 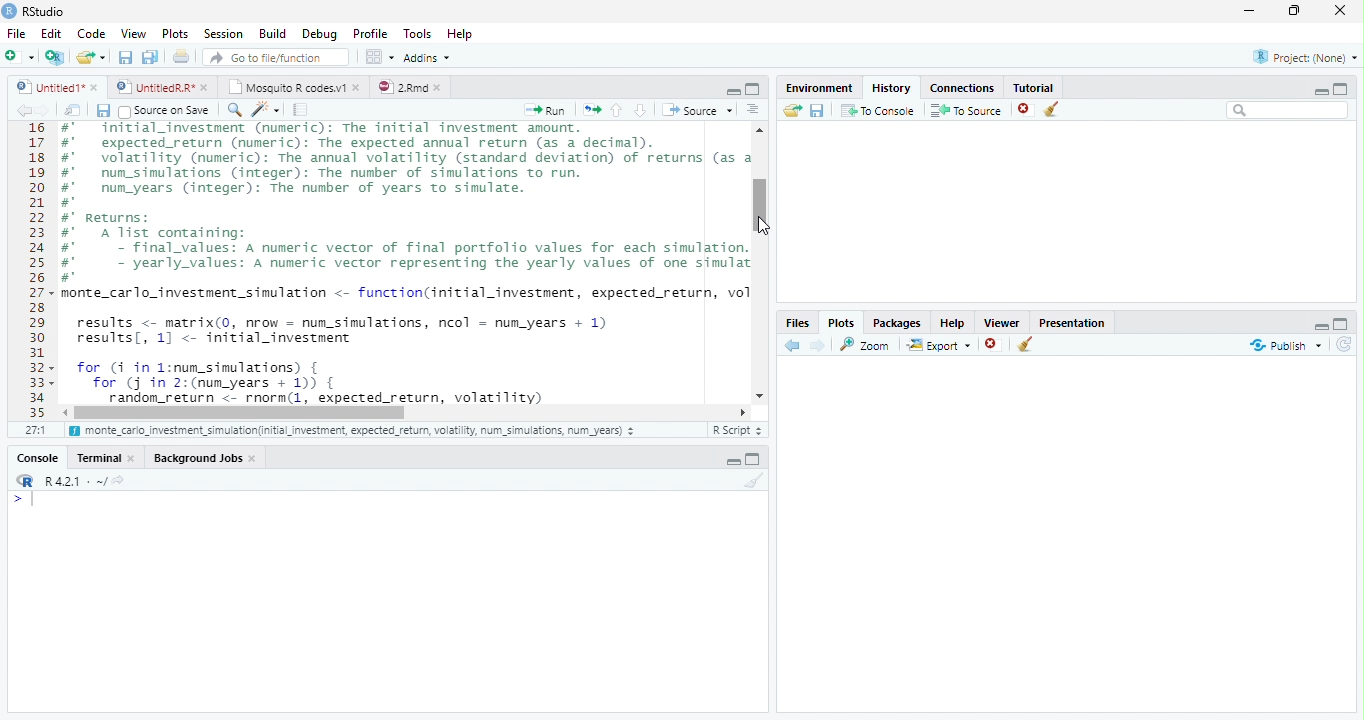 I want to click on Code, so click(x=402, y=264).